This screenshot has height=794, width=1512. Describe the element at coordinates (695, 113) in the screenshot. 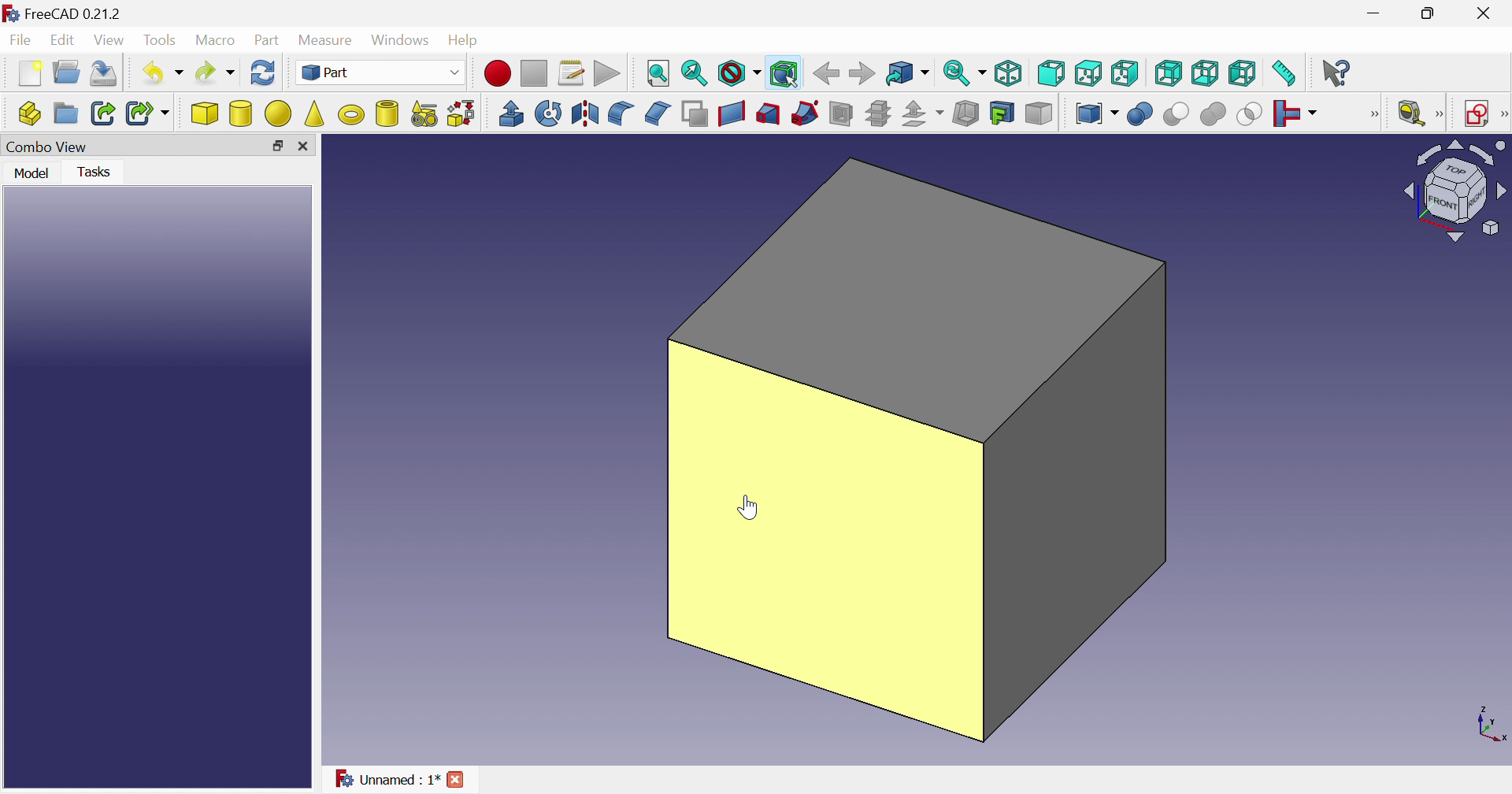

I see `Make face from wires` at that location.